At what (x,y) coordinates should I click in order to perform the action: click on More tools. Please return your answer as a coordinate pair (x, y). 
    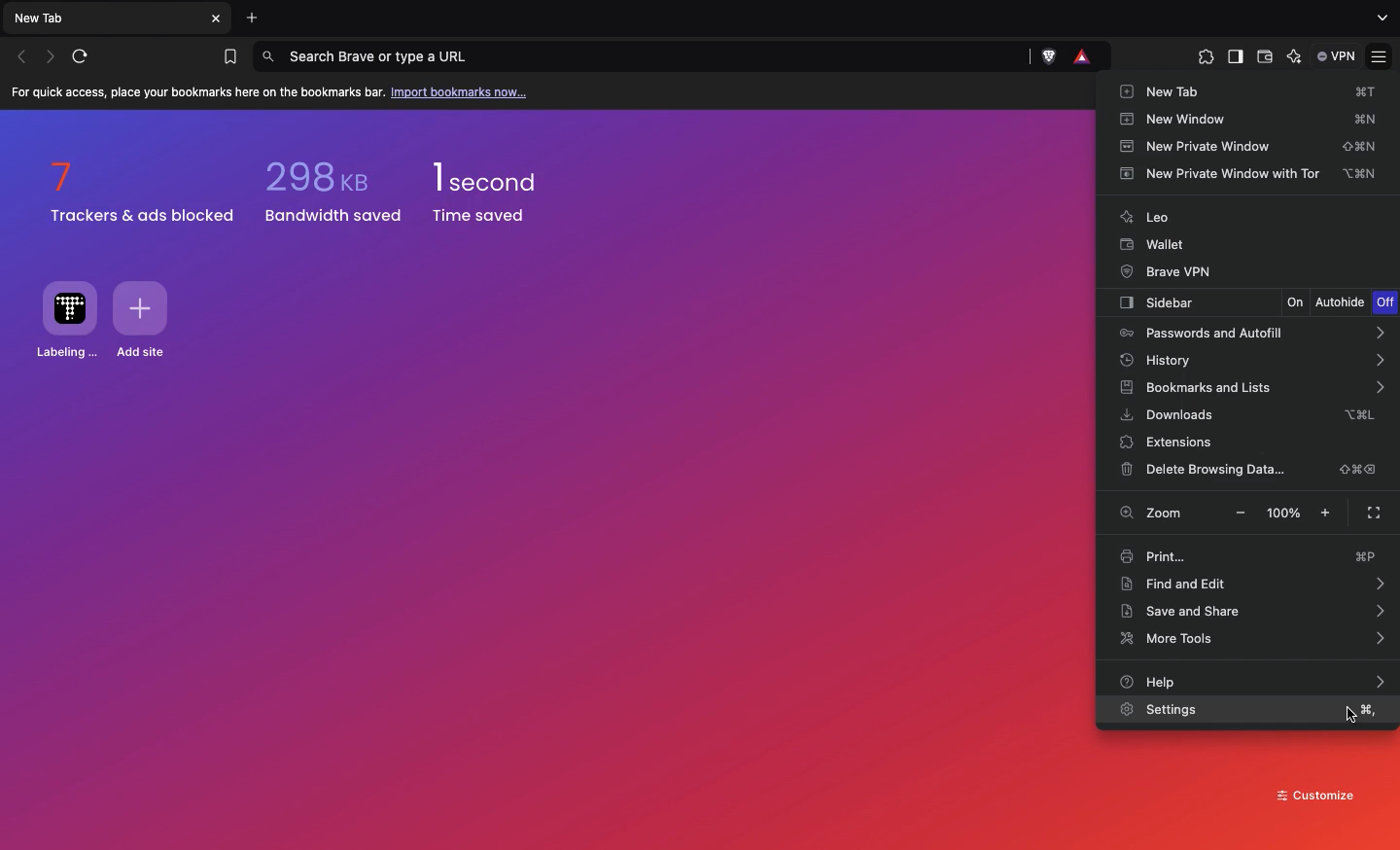
    Looking at the image, I should click on (1240, 638).